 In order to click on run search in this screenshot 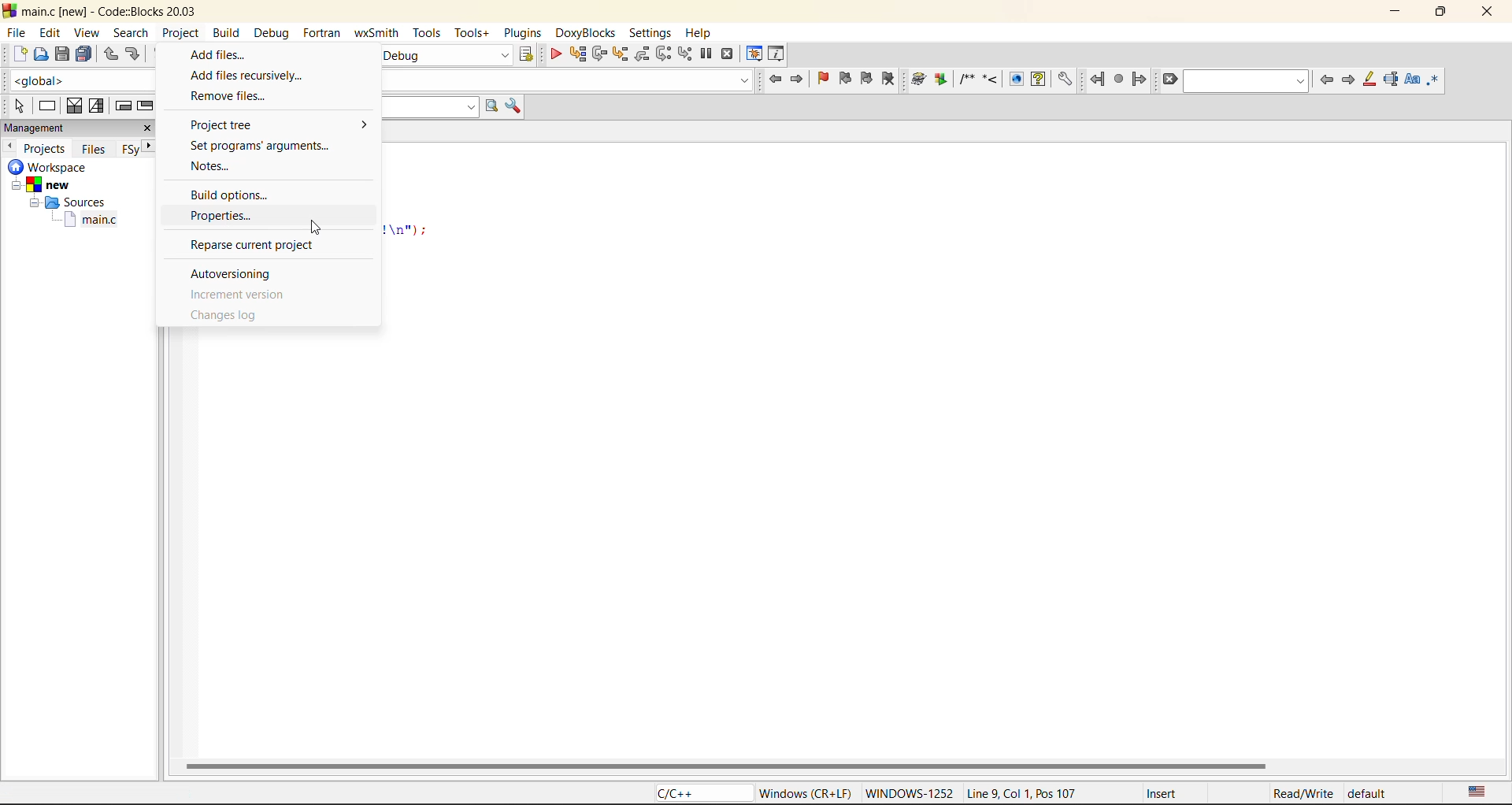, I will do `click(494, 106)`.